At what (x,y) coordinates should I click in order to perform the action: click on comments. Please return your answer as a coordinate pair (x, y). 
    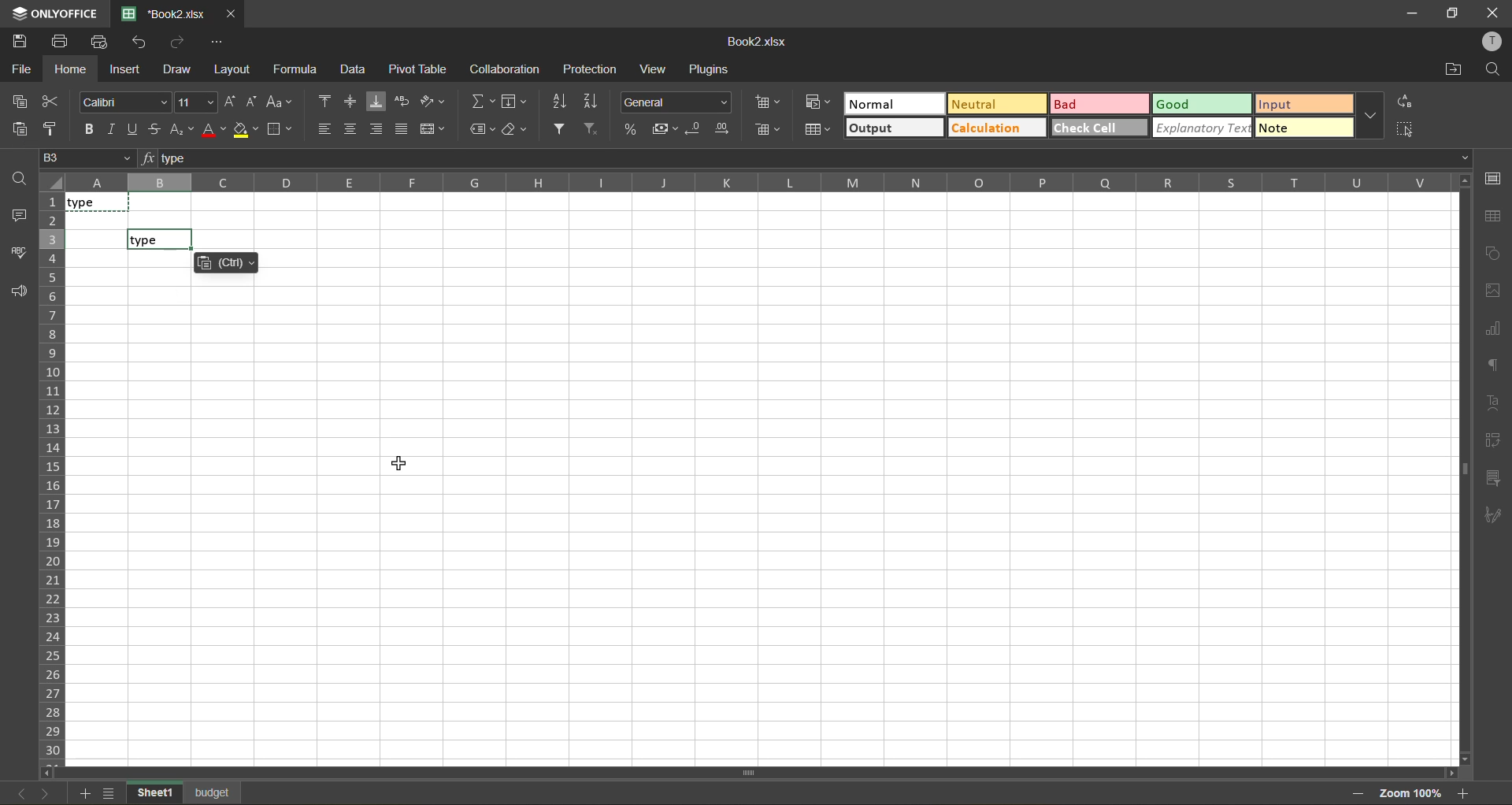
    Looking at the image, I should click on (18, 216).